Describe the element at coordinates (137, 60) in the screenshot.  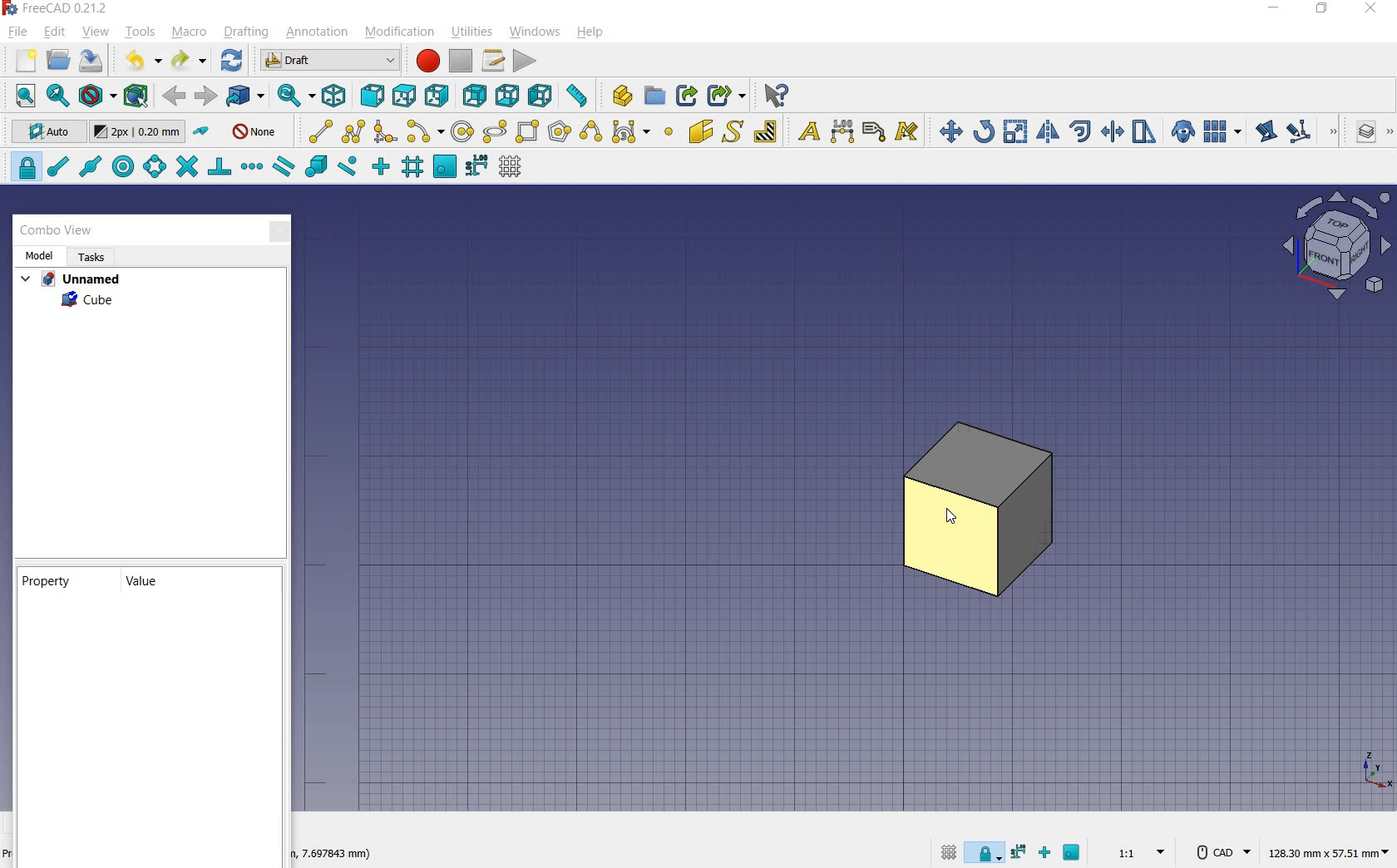
I see `undo` at that location.